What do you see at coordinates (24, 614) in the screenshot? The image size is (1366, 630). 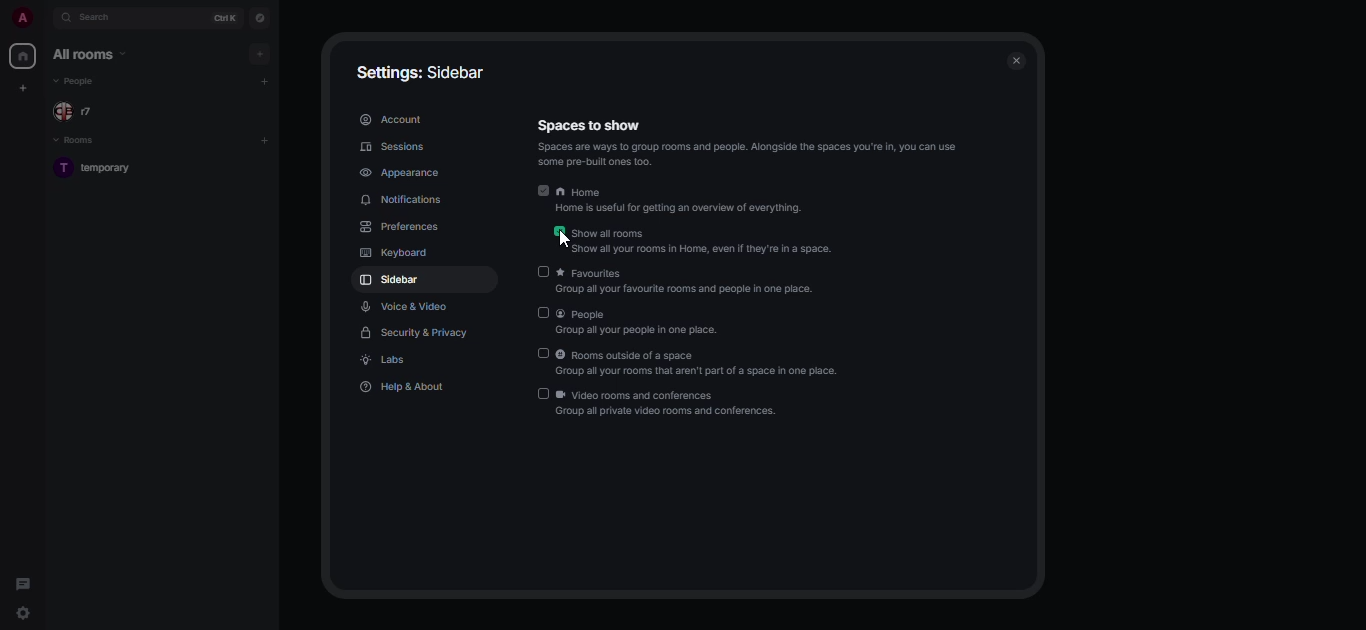 I see `quick settings` at bounding box center [24, 614].